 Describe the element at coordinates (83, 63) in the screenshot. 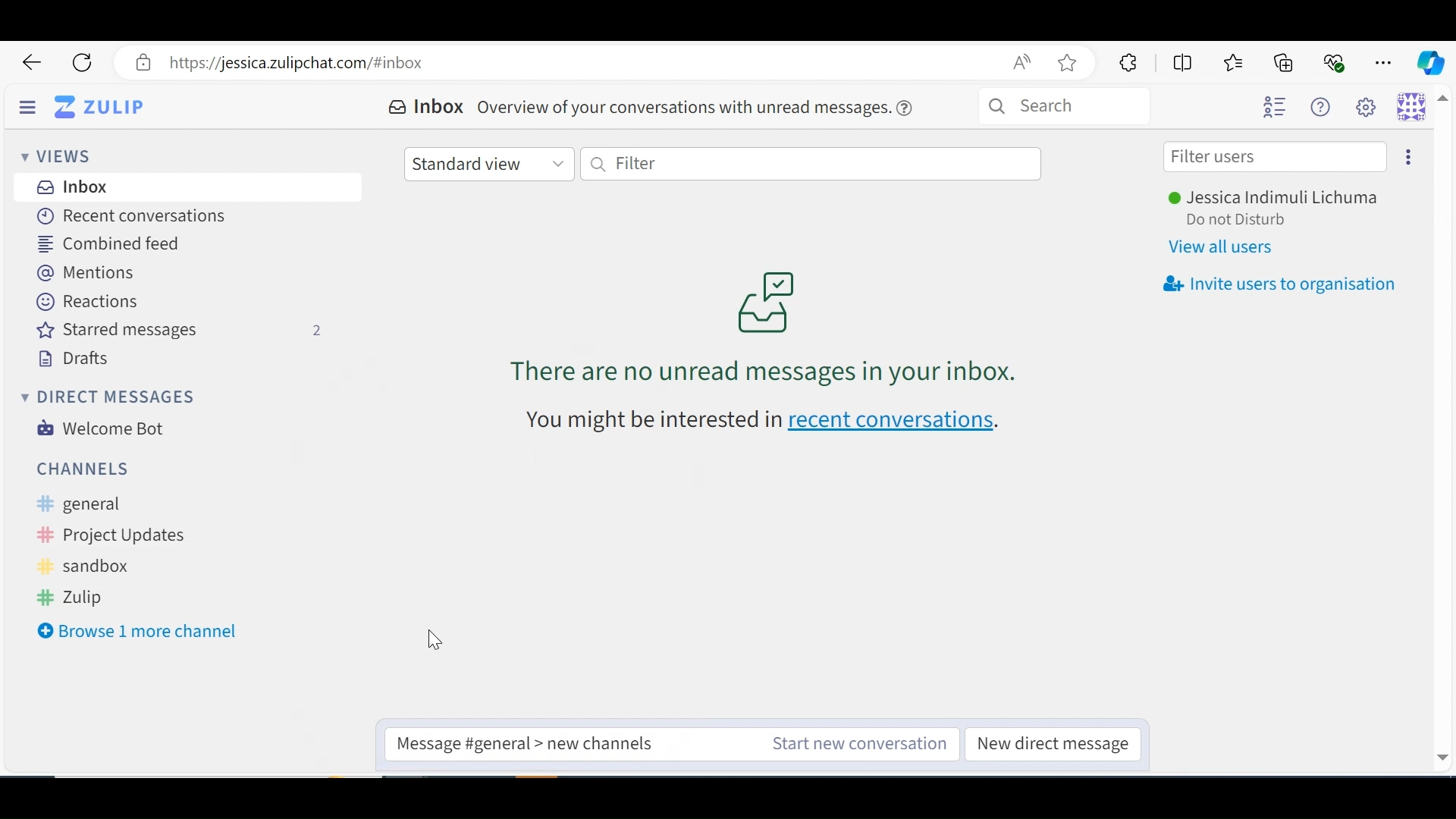

I see `Reload` at that location.